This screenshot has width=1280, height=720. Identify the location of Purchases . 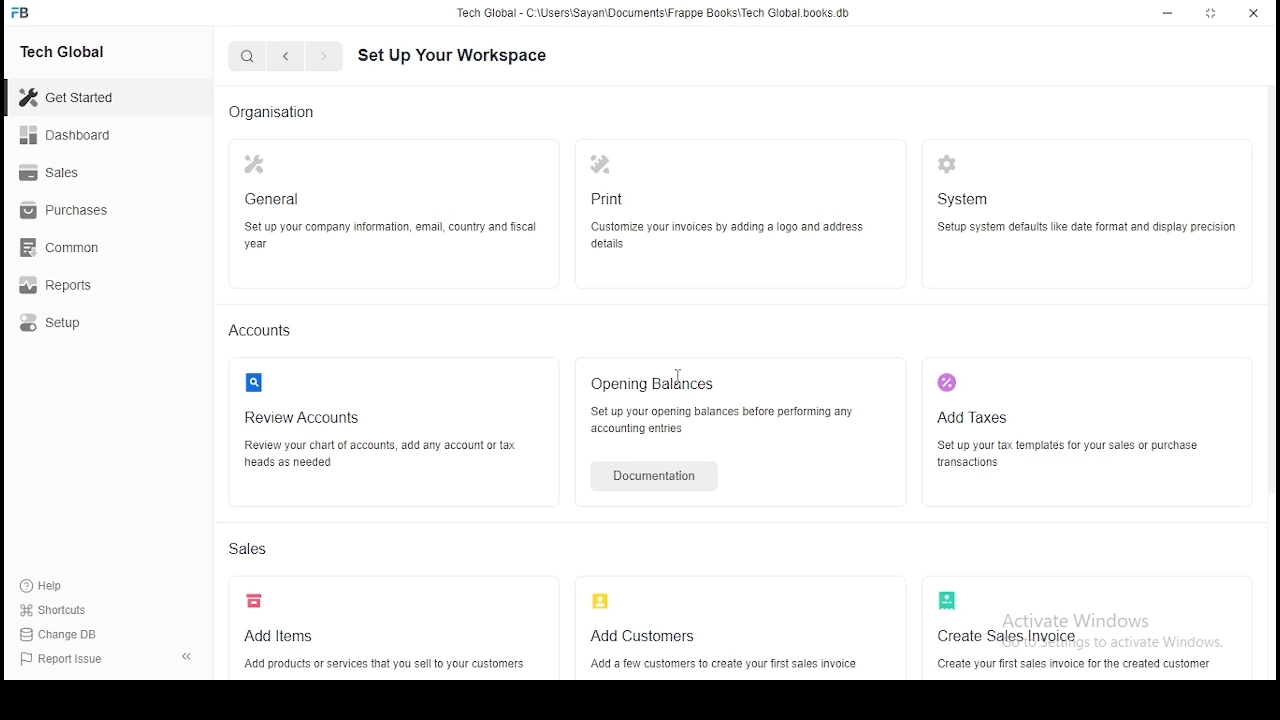
(80, 214).